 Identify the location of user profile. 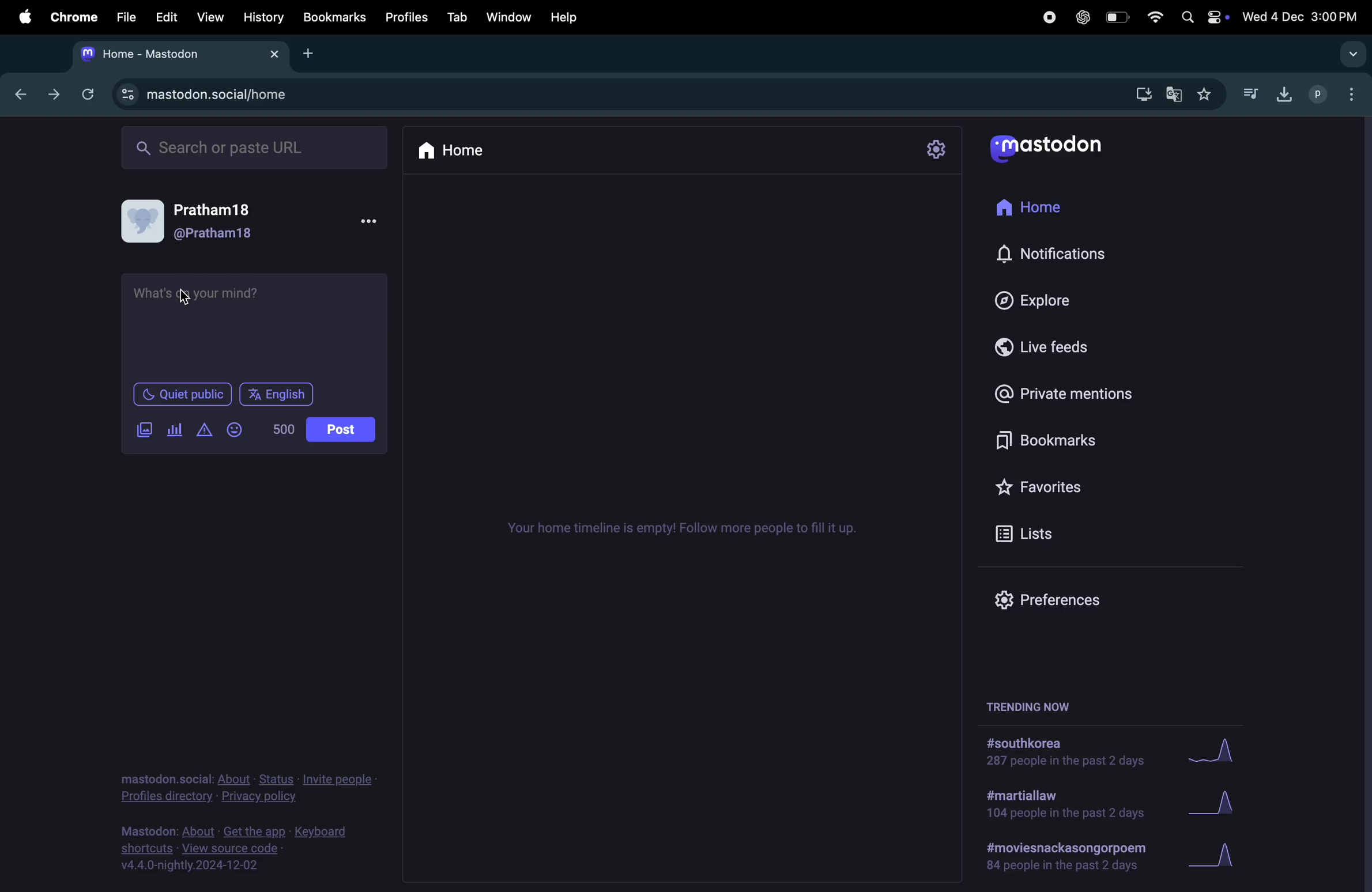
(250, 222).